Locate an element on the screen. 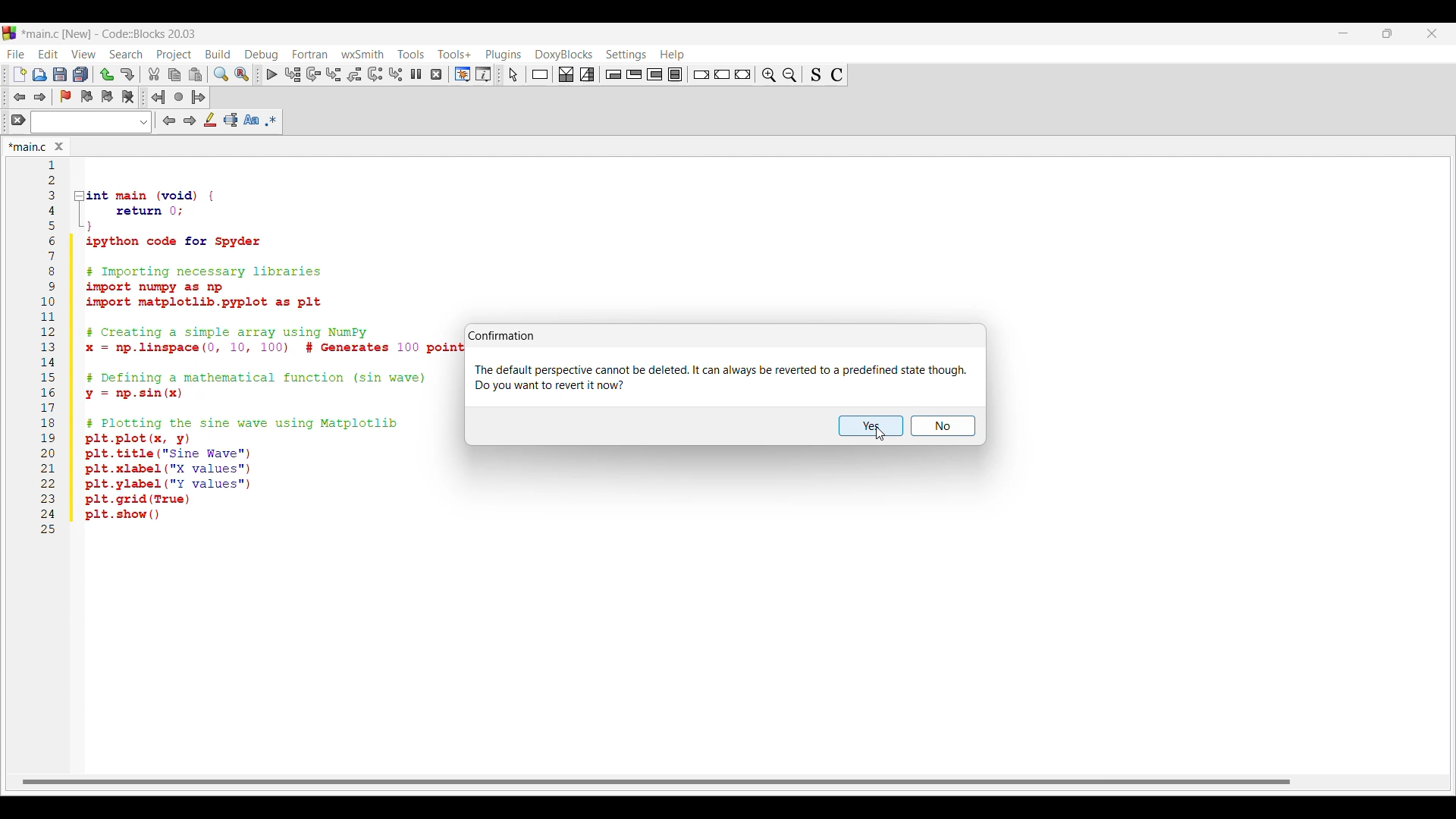 The height and width of the screenshot is (819, 1456). No is located at coordinates (943, 425).